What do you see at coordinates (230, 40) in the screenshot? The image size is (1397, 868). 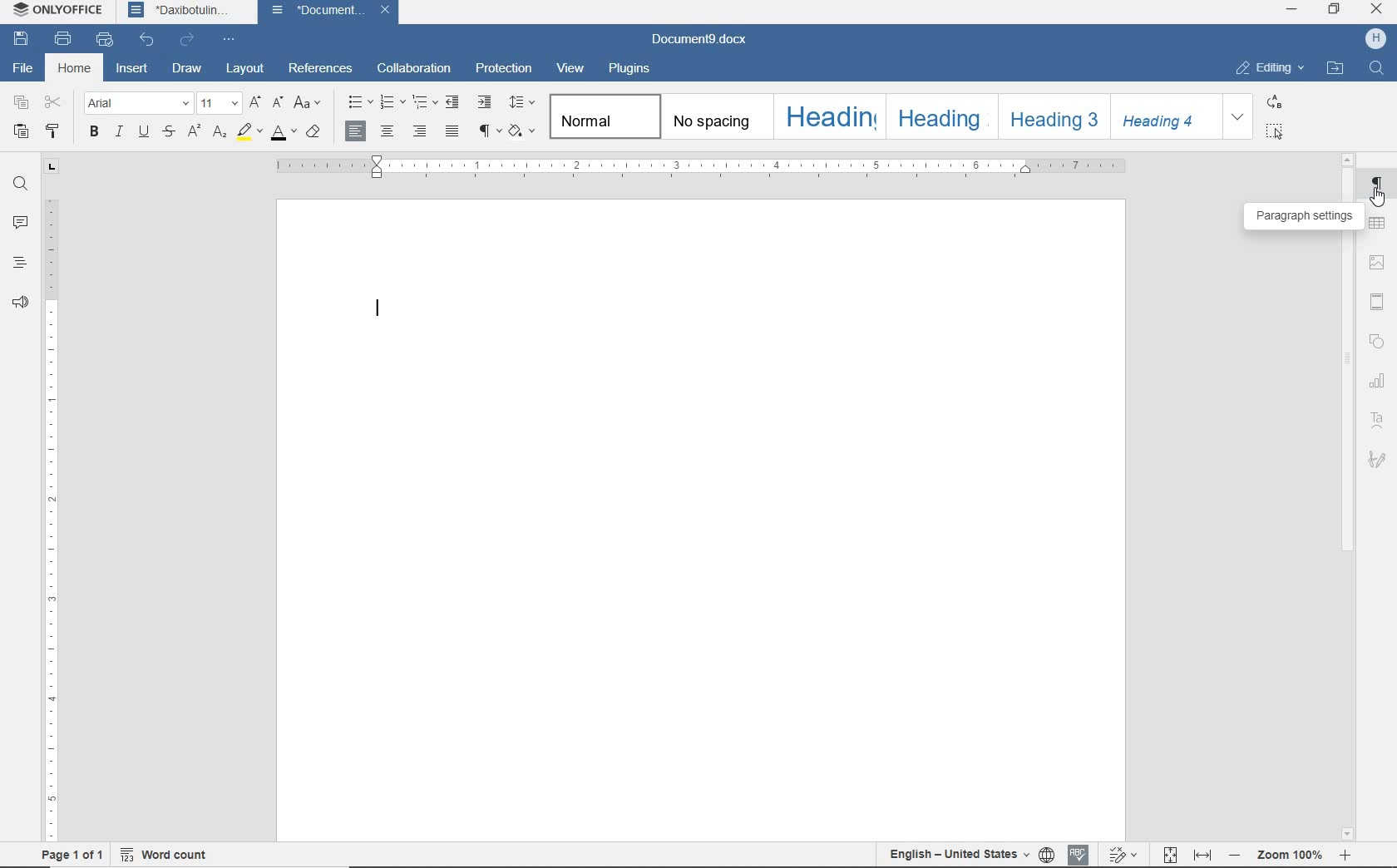 I see `customize quick access toolbar` at bounding box center [230, 40].